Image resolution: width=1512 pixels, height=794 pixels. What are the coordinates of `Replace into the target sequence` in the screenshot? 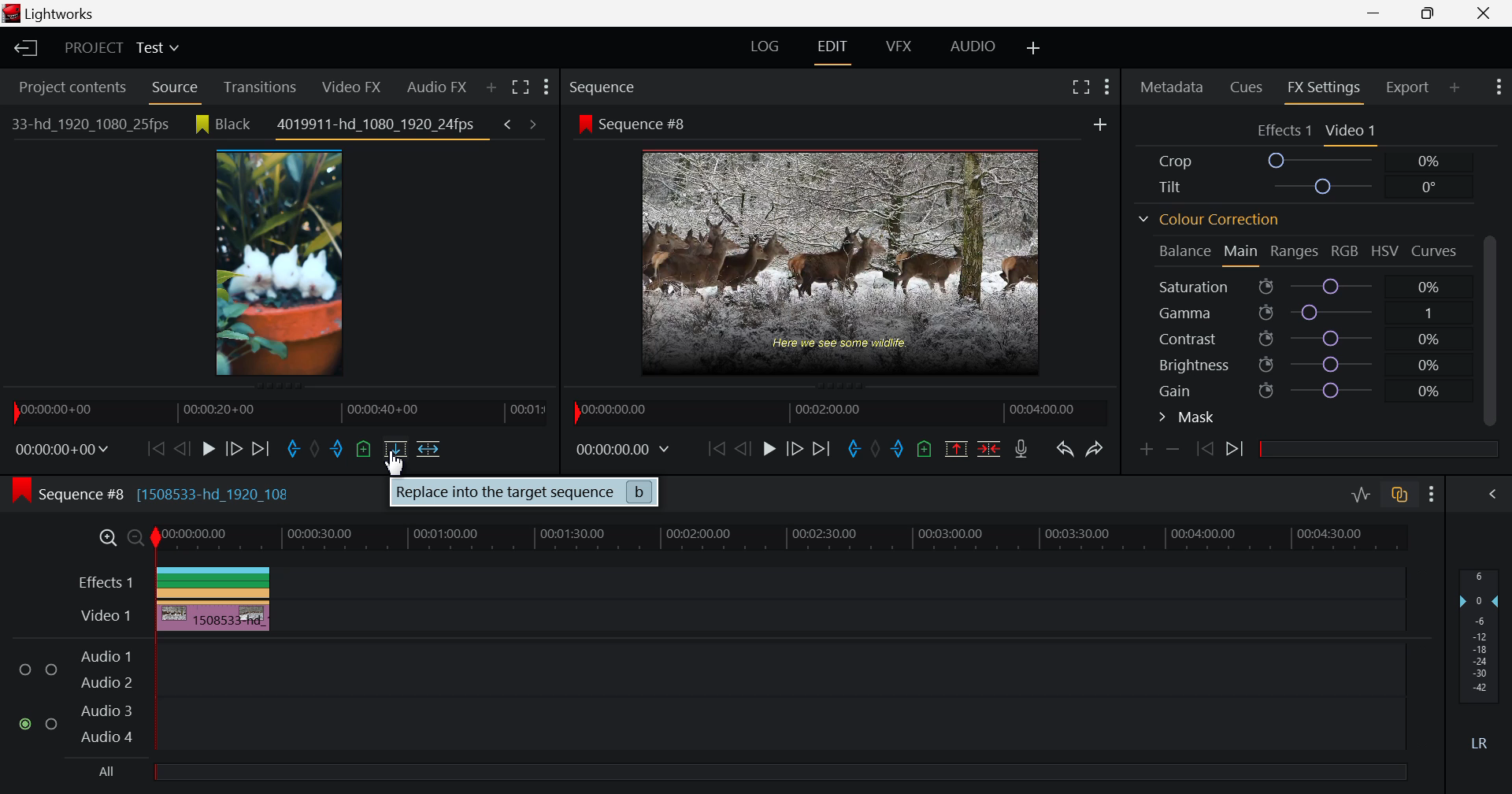 It's located at (525, 495).